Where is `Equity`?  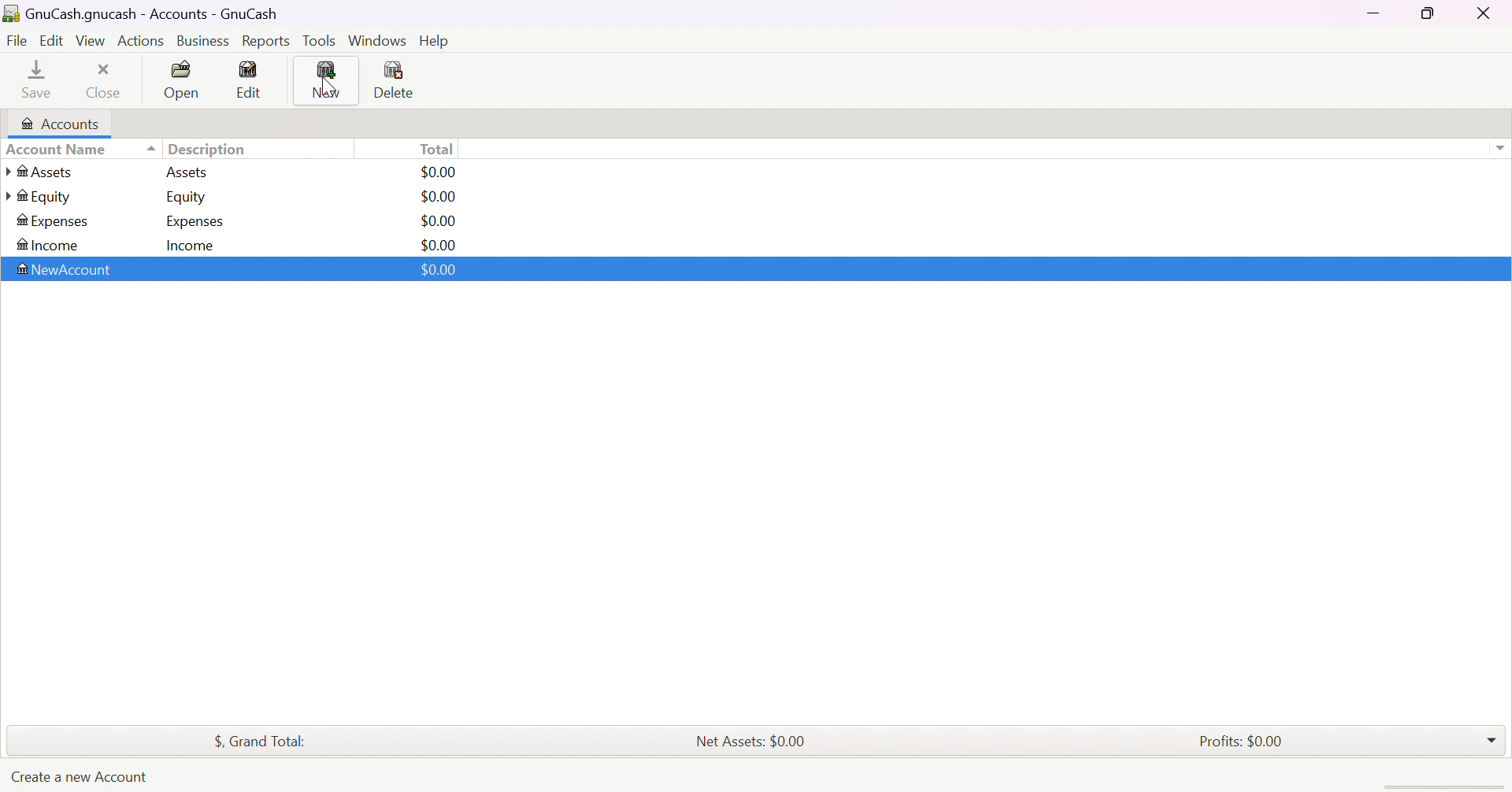 Equity is located at coordinates (41, 196).